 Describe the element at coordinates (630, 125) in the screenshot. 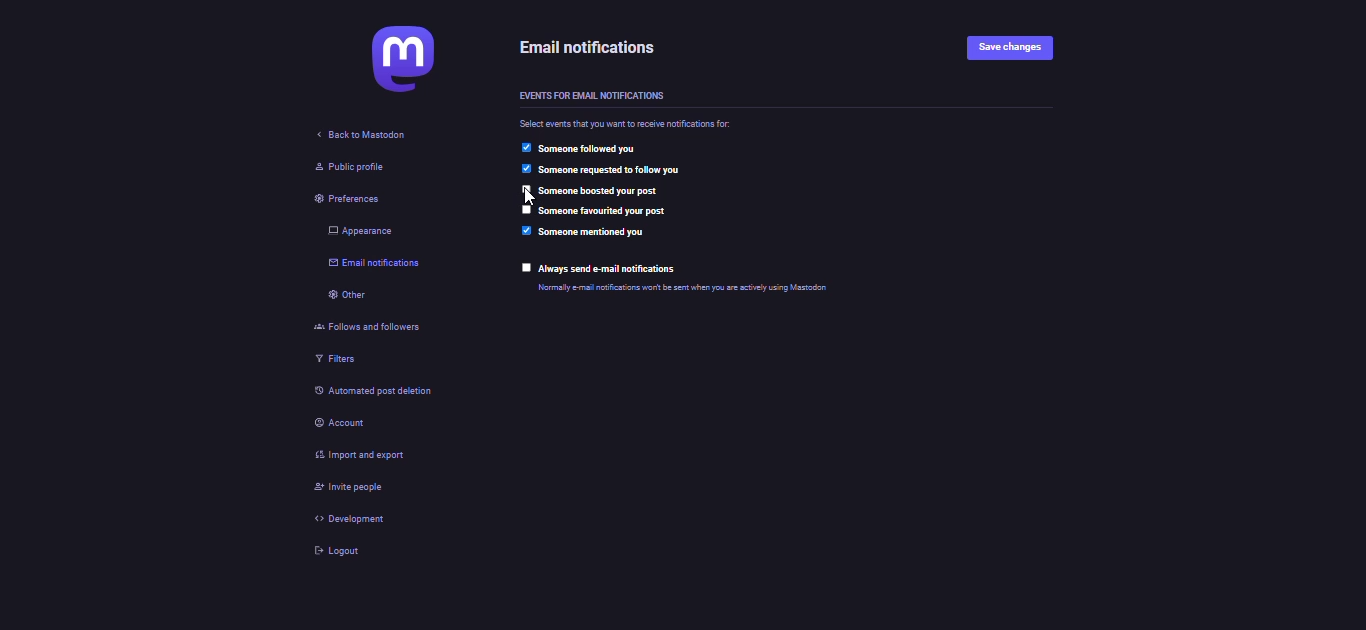

I see `select events` at that location.